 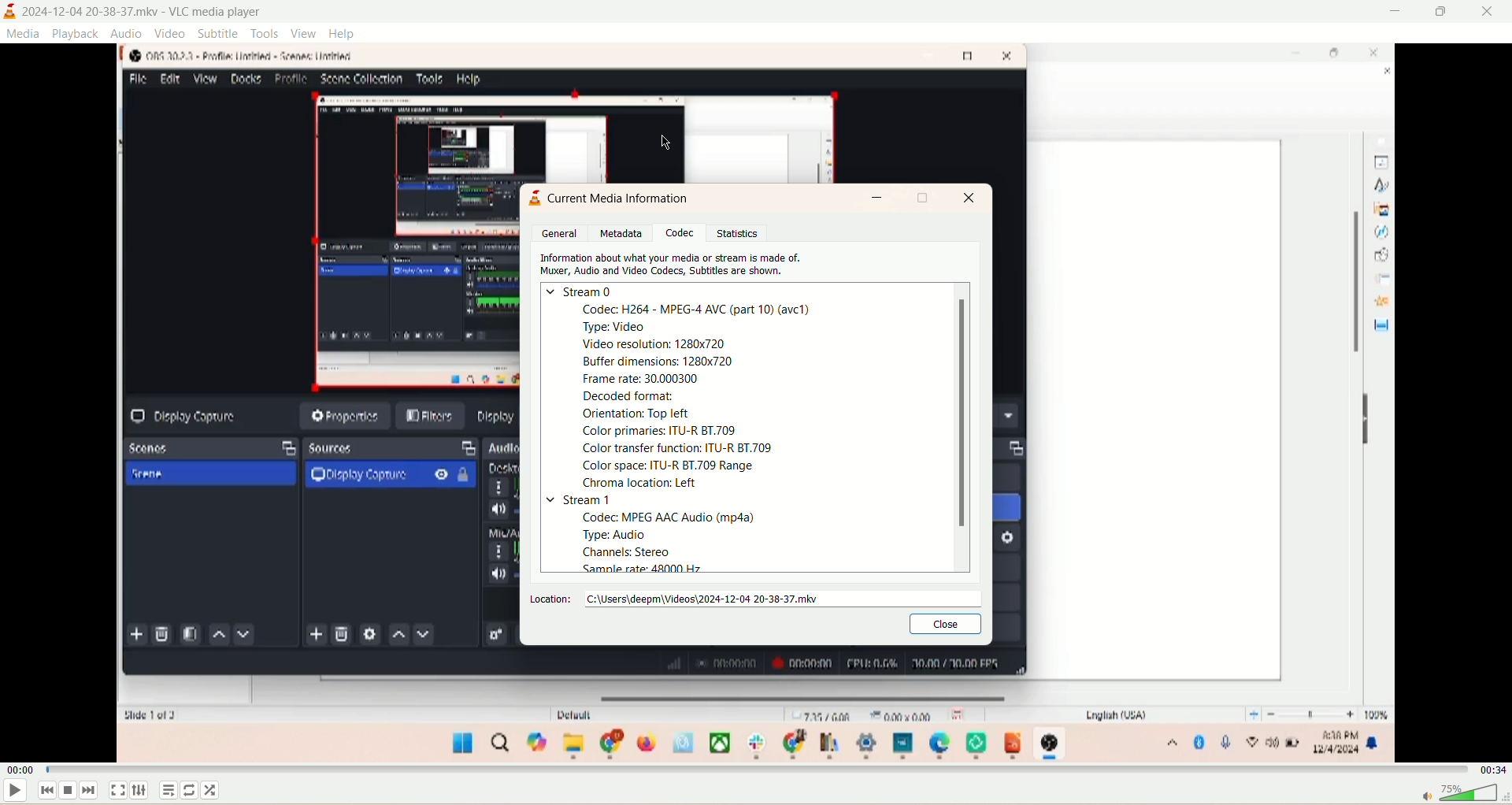 What do you see at coordinates (734, 395) in the screenshot?
I see `text` at bounding box center [734, 395].